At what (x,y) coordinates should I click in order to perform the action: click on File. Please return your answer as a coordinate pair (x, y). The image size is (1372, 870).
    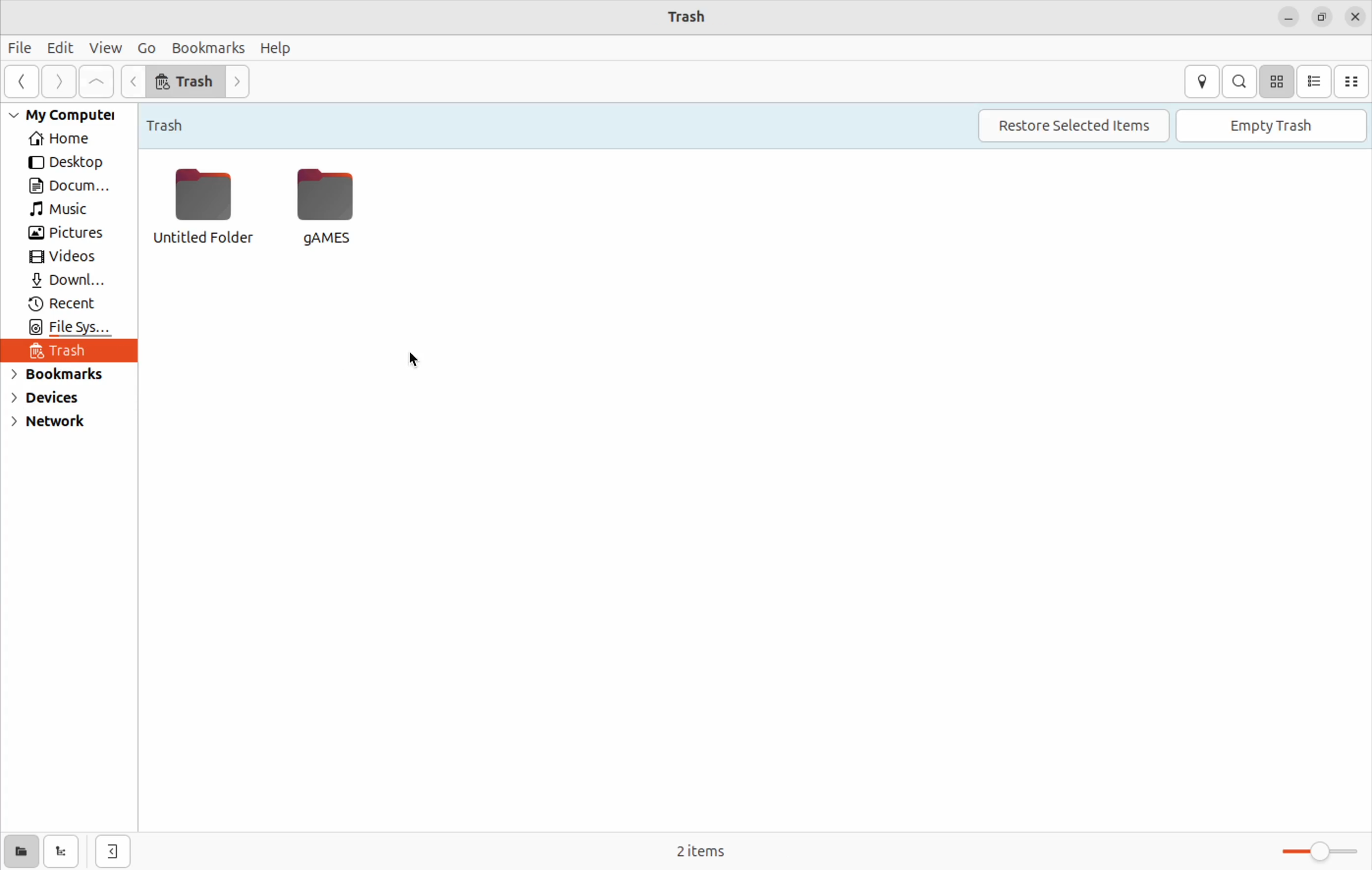
    Looking at the image, I should click on (22, 47).